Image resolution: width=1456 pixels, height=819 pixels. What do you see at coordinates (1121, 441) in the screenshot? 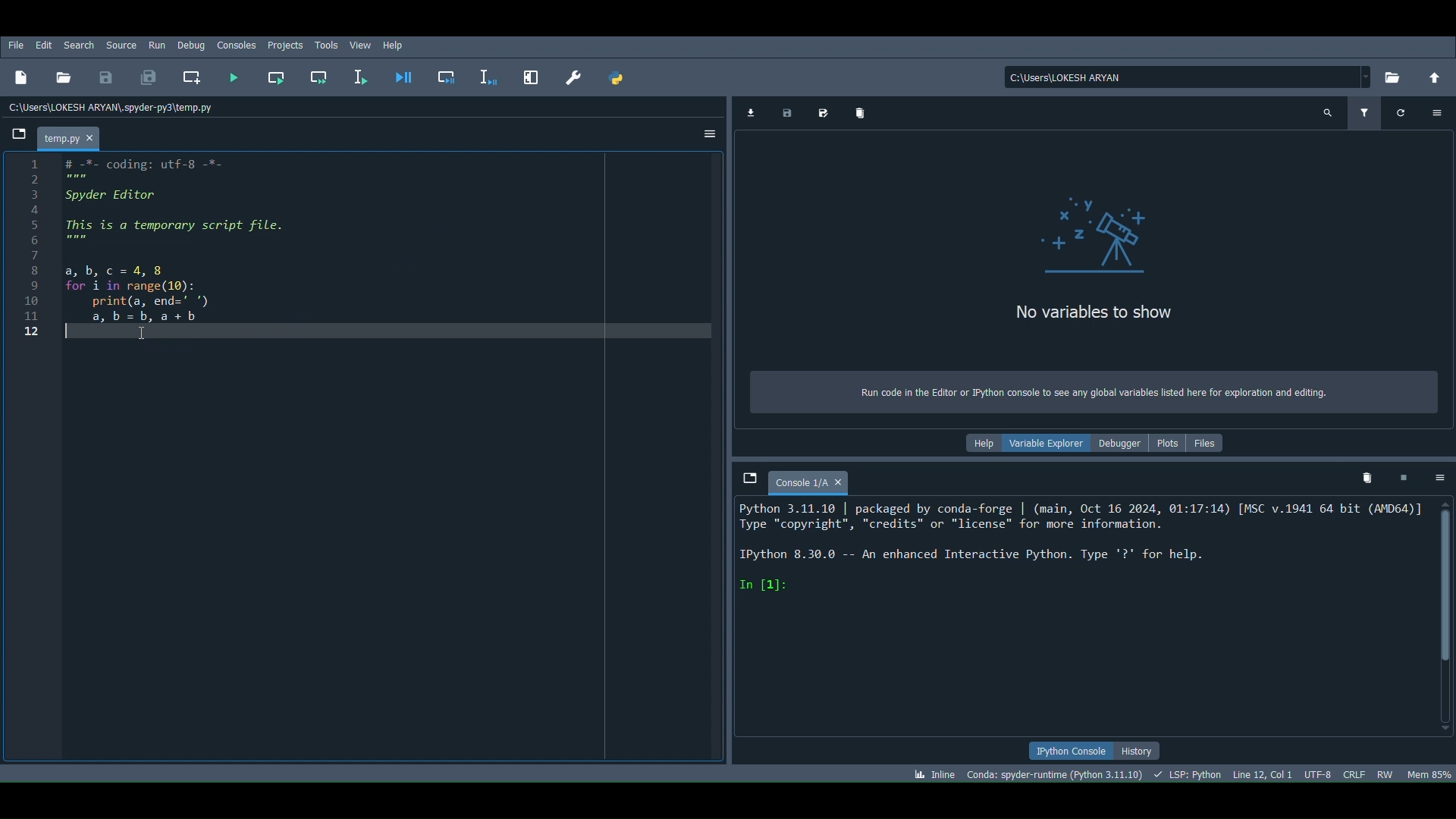
I see `Debugger` at bounding box center [1121, 441].